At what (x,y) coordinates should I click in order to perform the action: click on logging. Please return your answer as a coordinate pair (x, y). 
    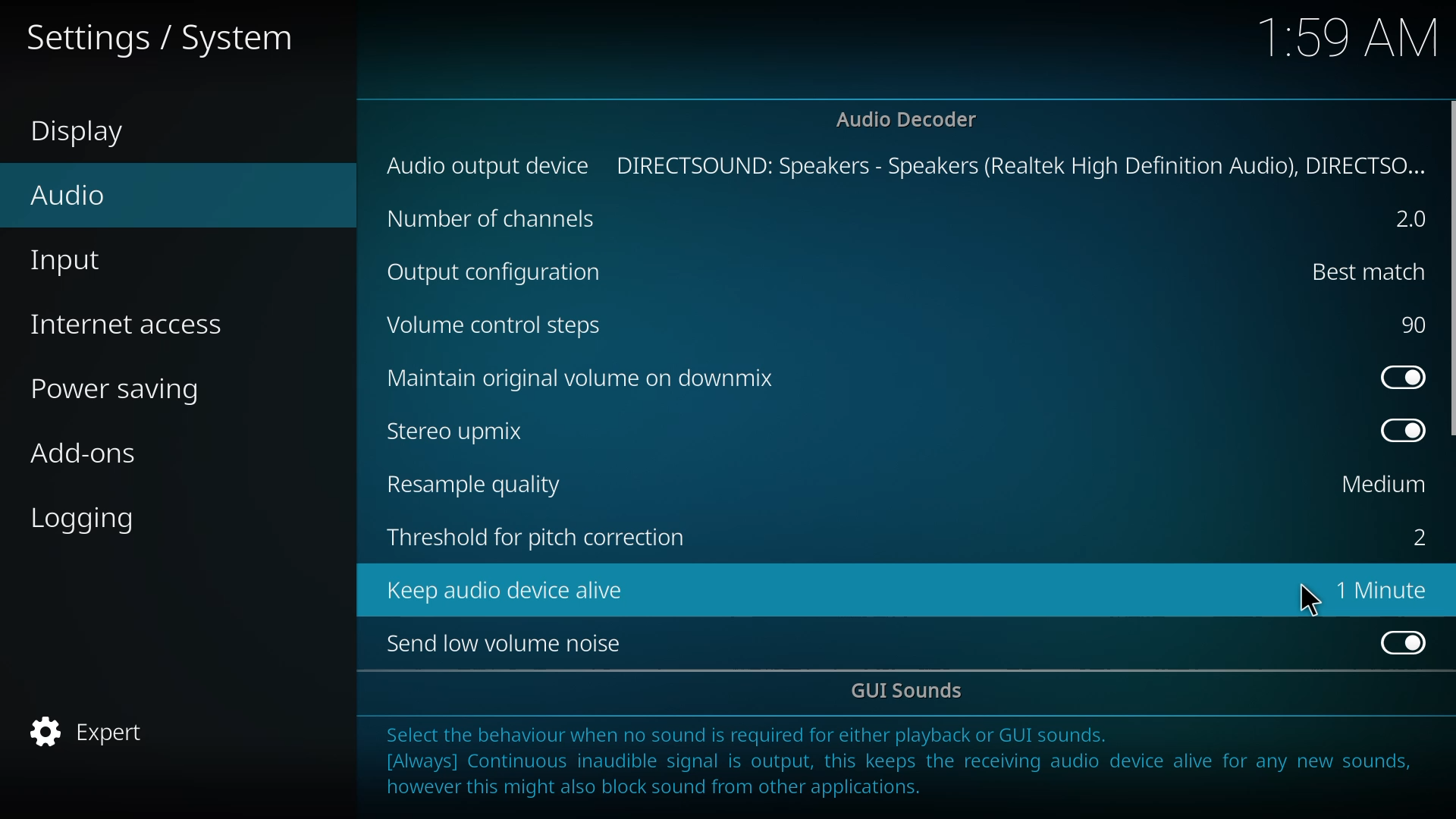
    Looking at the image, I should click on (88, 518).